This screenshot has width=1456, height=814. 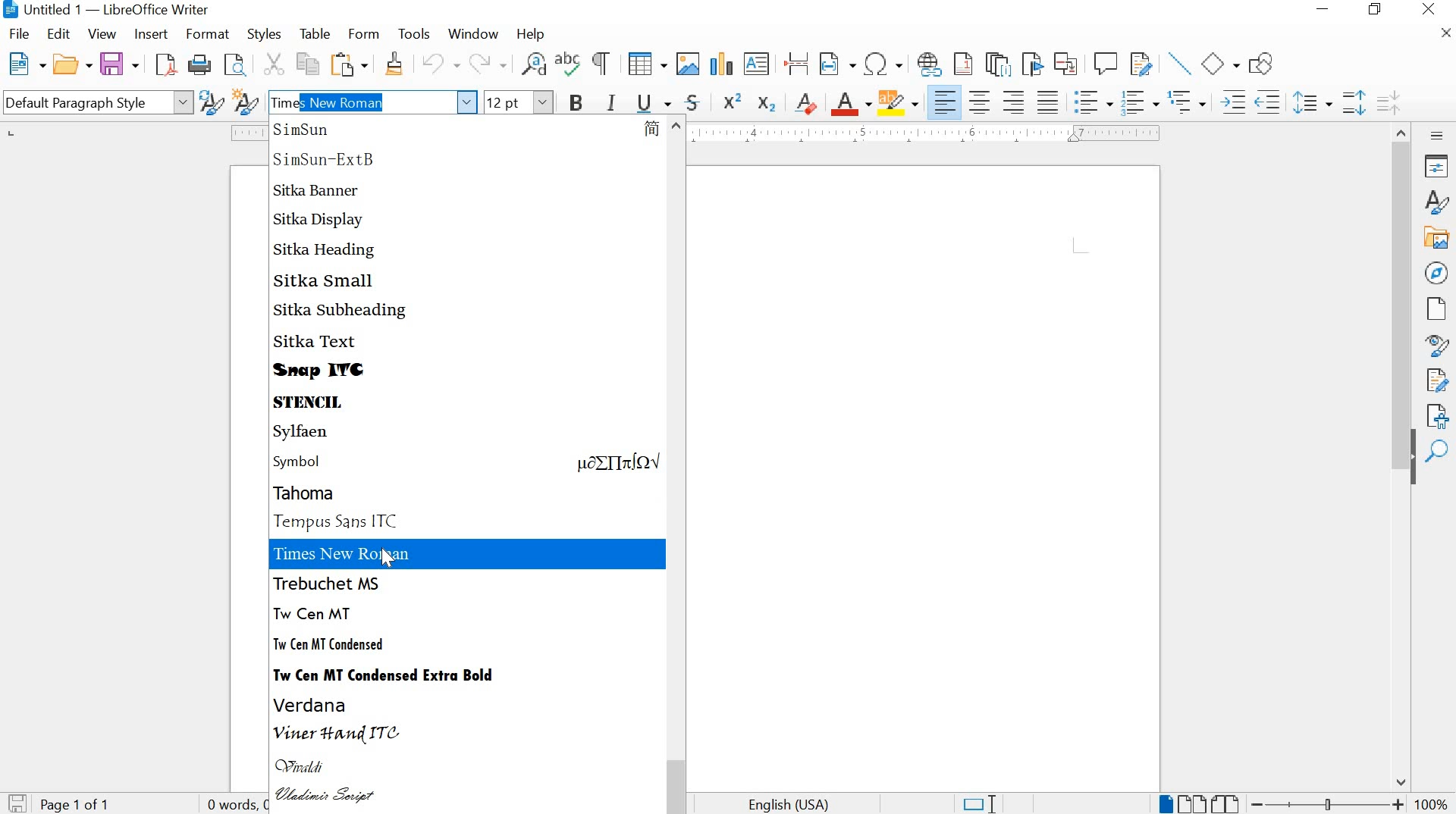 What do you see at coordinates (350, 64) in the screenshot?
I see `PASTE` at bounding box center [350, 64].